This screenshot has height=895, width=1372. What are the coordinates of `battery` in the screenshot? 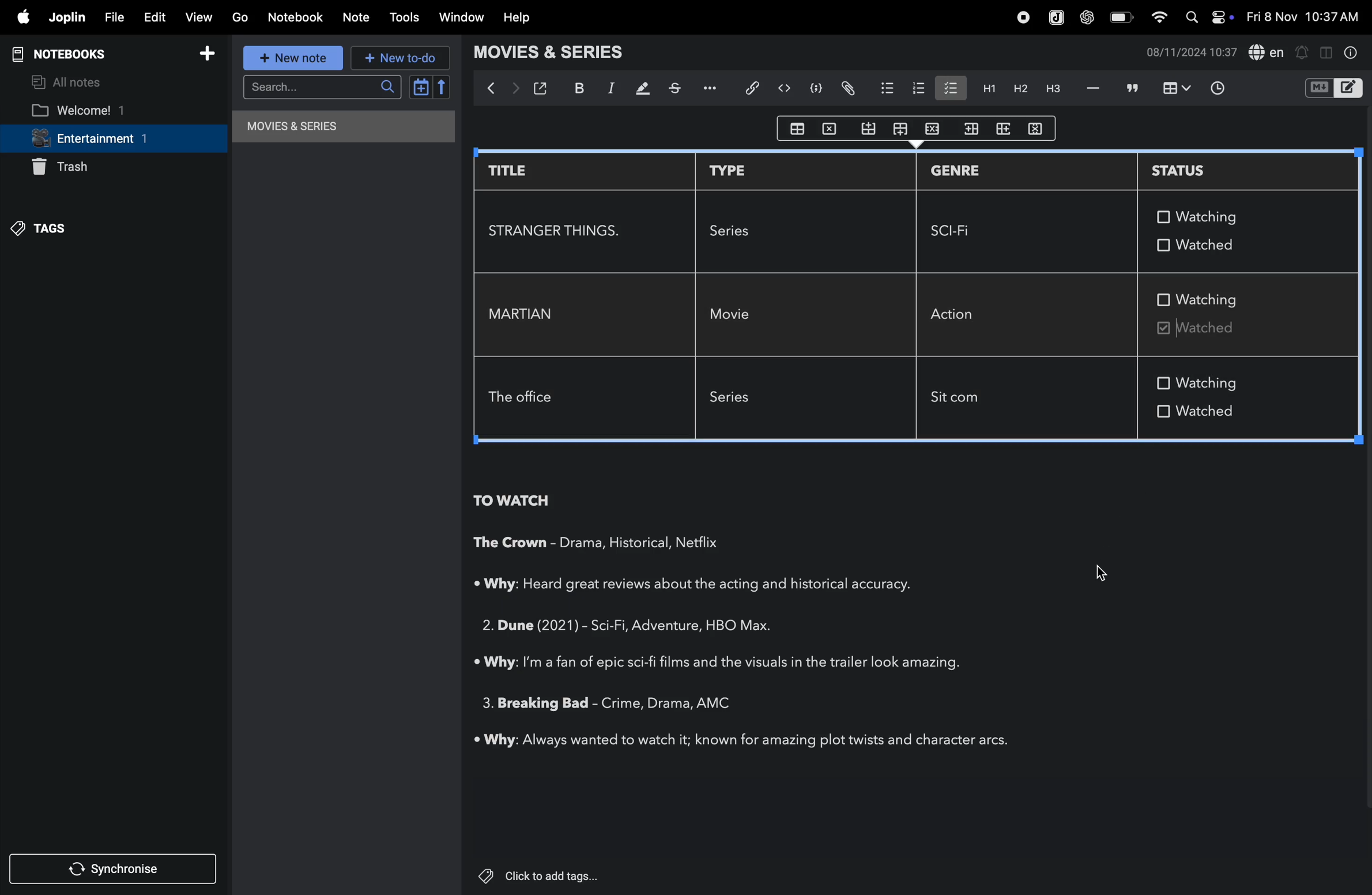 It's located at (1120, 17).